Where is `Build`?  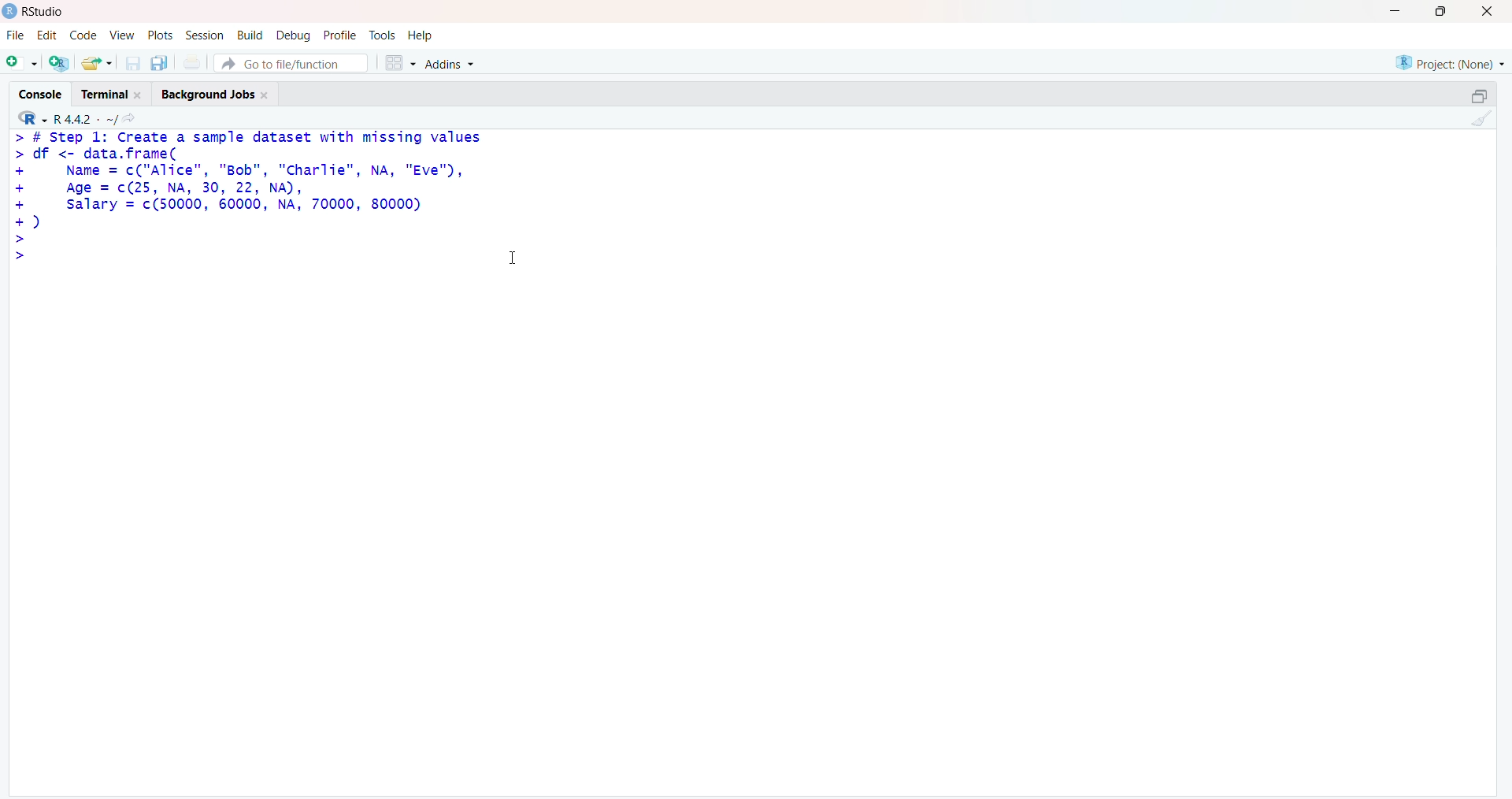 Build is located at coordinates (250, 33).